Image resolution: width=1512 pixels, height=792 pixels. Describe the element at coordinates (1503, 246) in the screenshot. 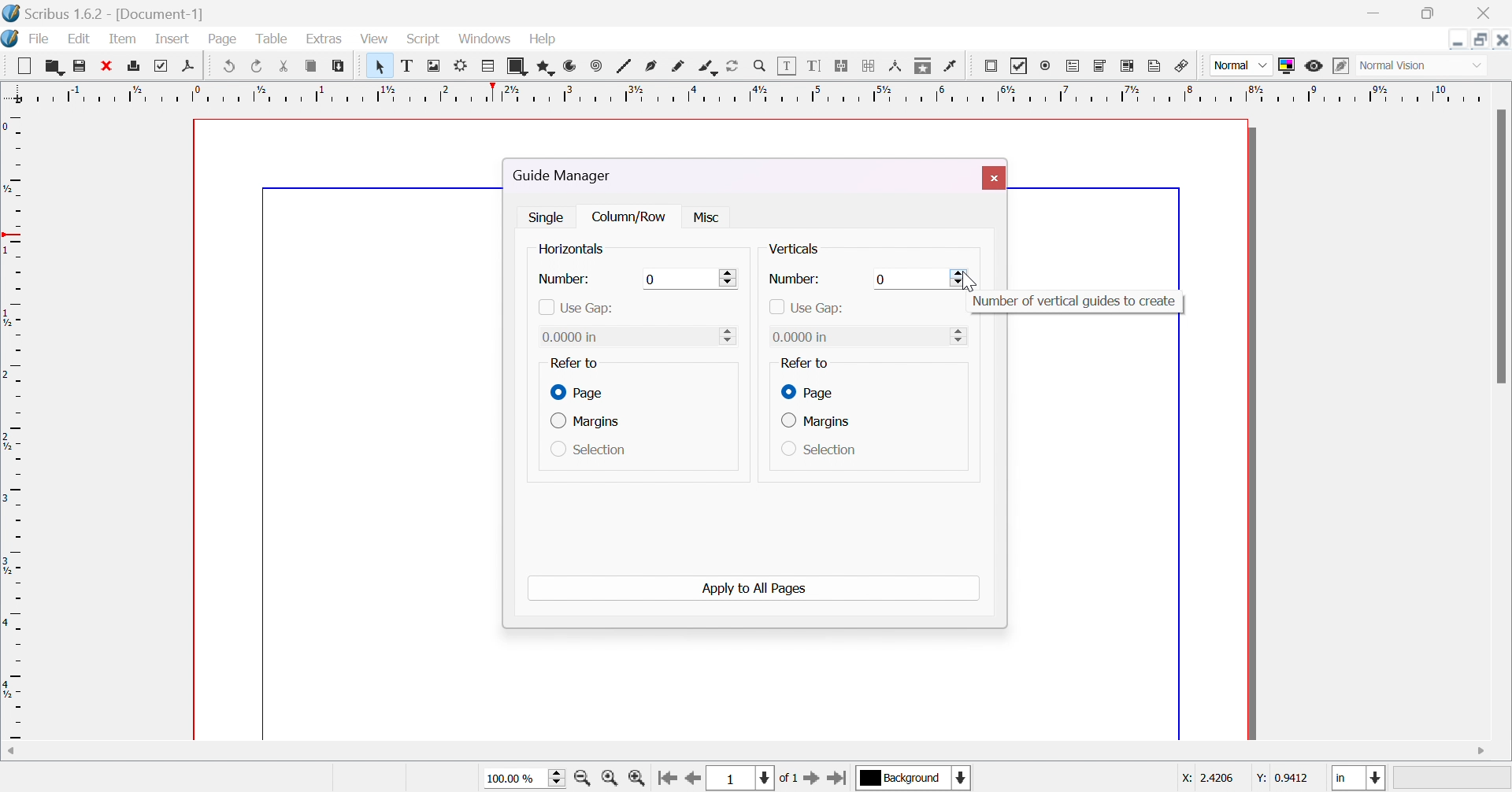

I see `scroll bar` at that location.